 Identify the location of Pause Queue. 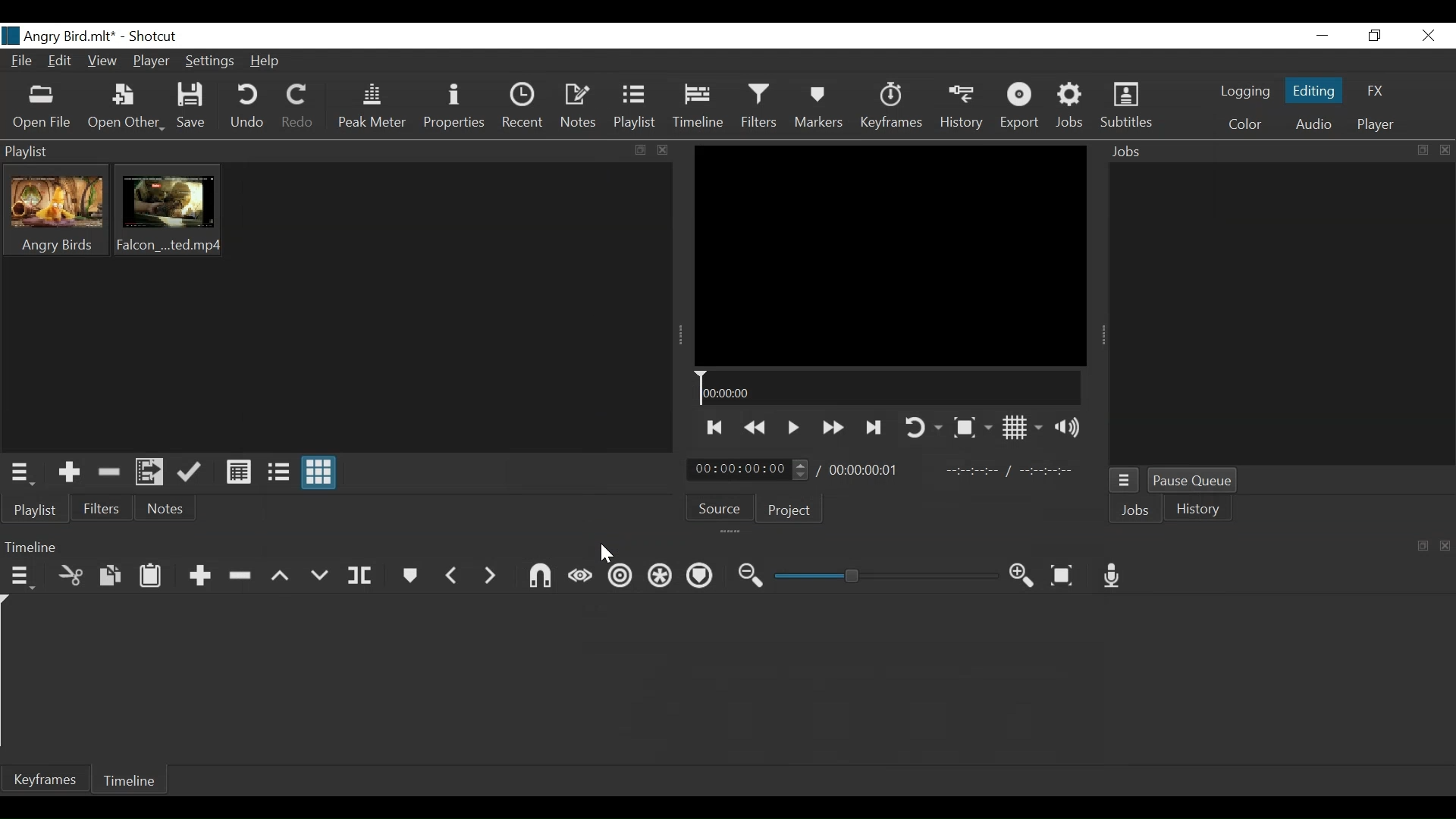
(1193, 480).